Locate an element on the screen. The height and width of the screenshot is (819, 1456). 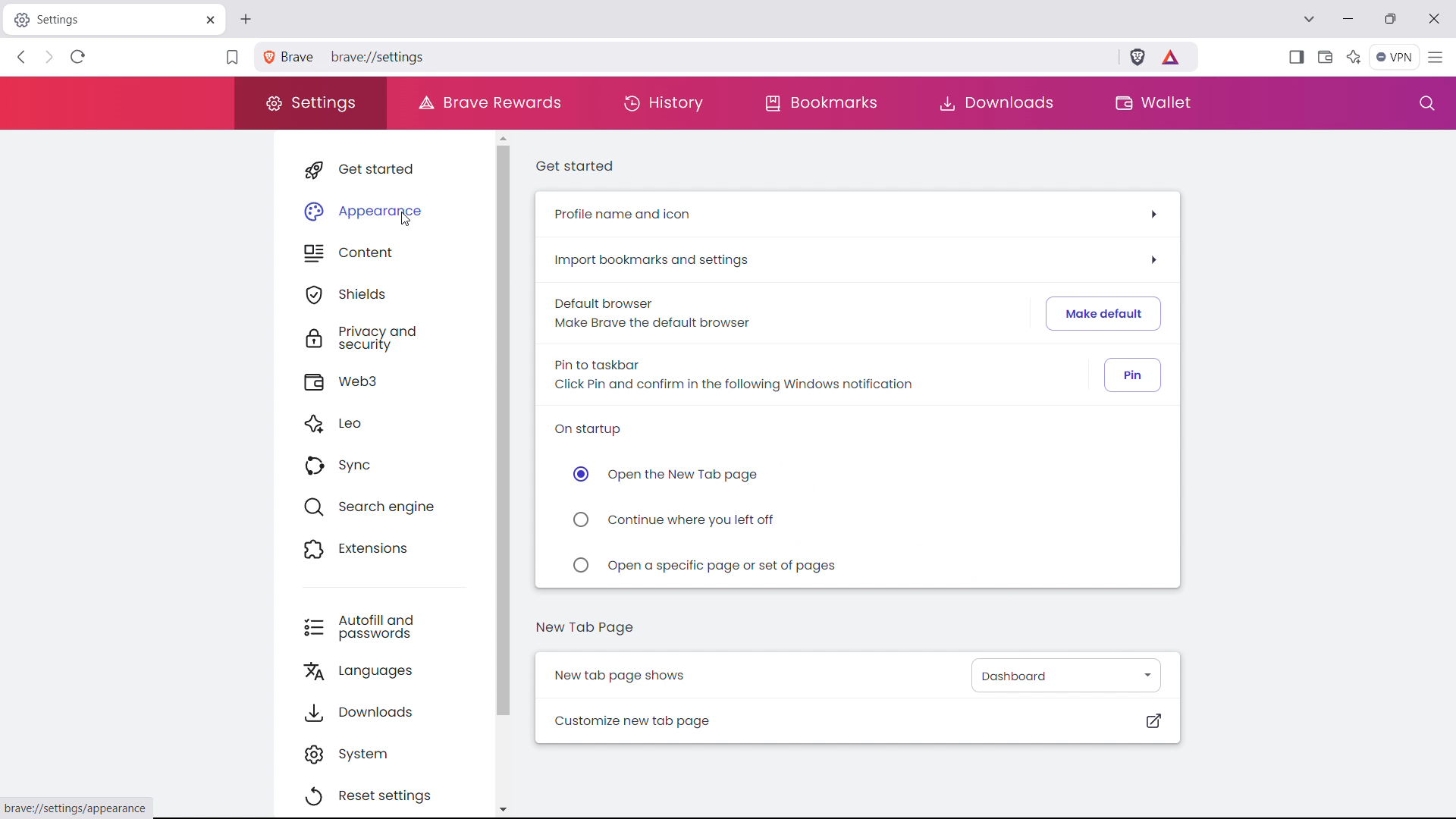
search engine is located at coordinates (385, 505).